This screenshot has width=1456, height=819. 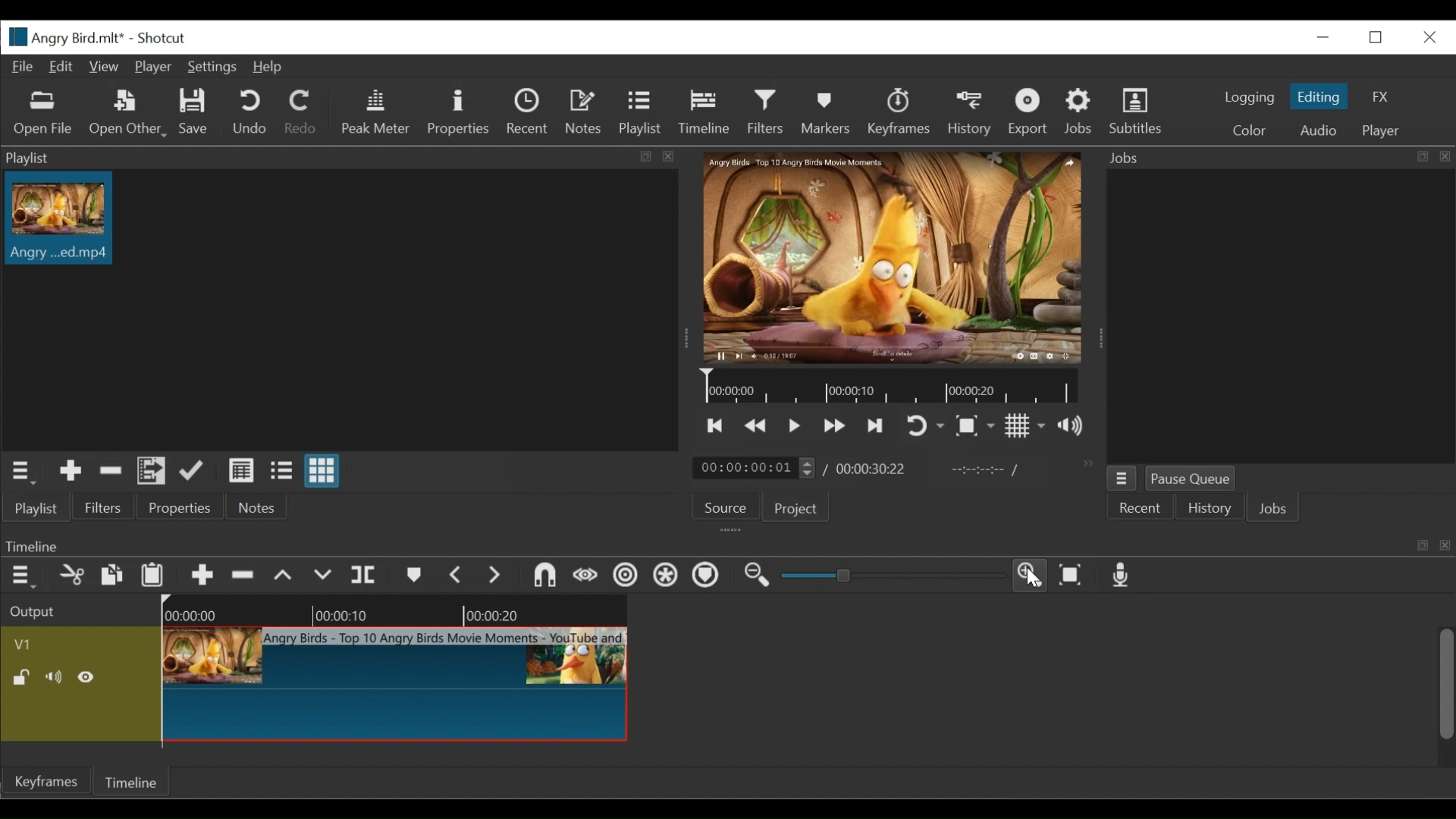 I want to click on View, so click(x=105, y=67).